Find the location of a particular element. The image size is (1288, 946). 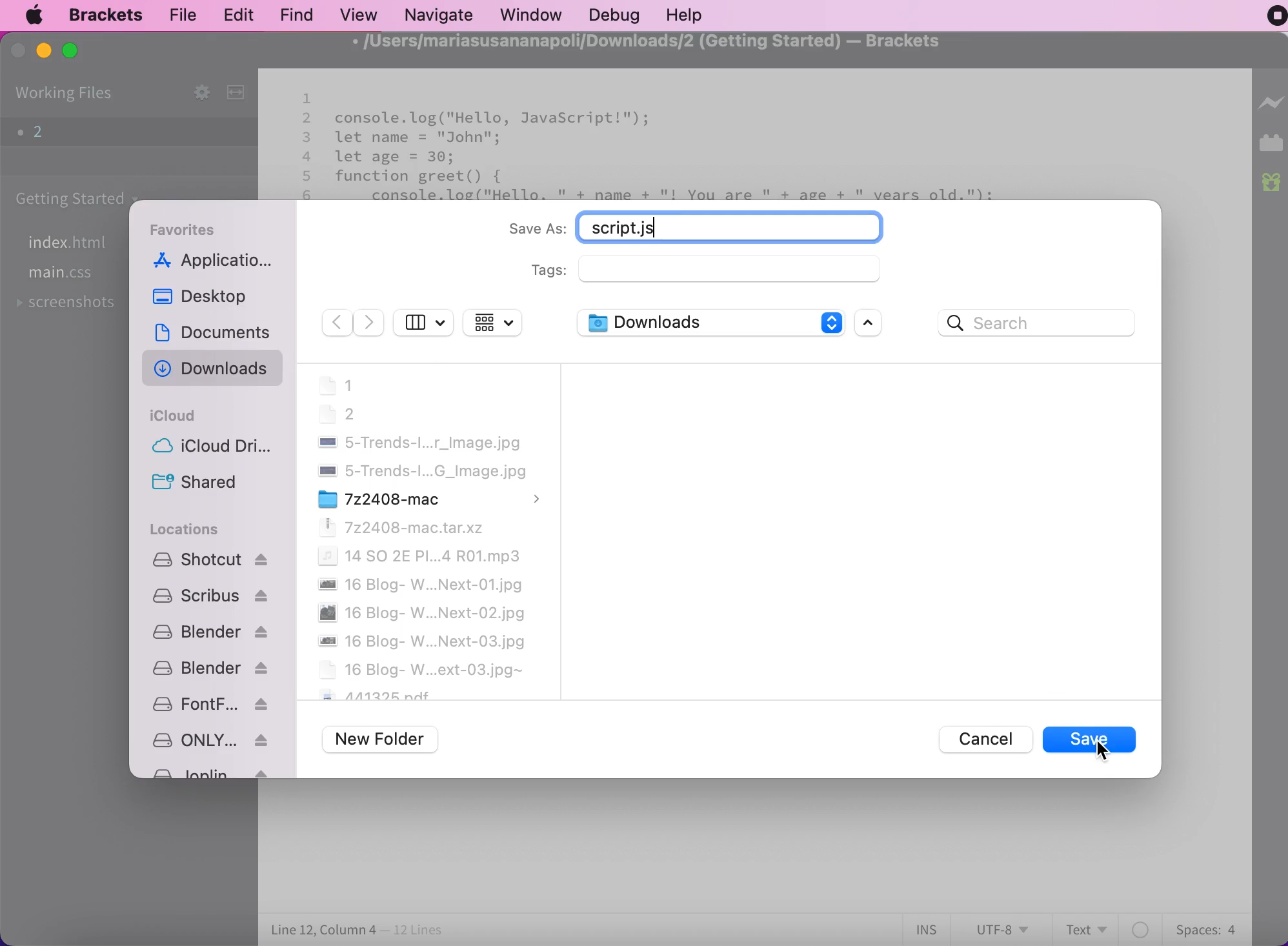

line 12, column 4 - 12 lines is located at coordinates (358, 931).